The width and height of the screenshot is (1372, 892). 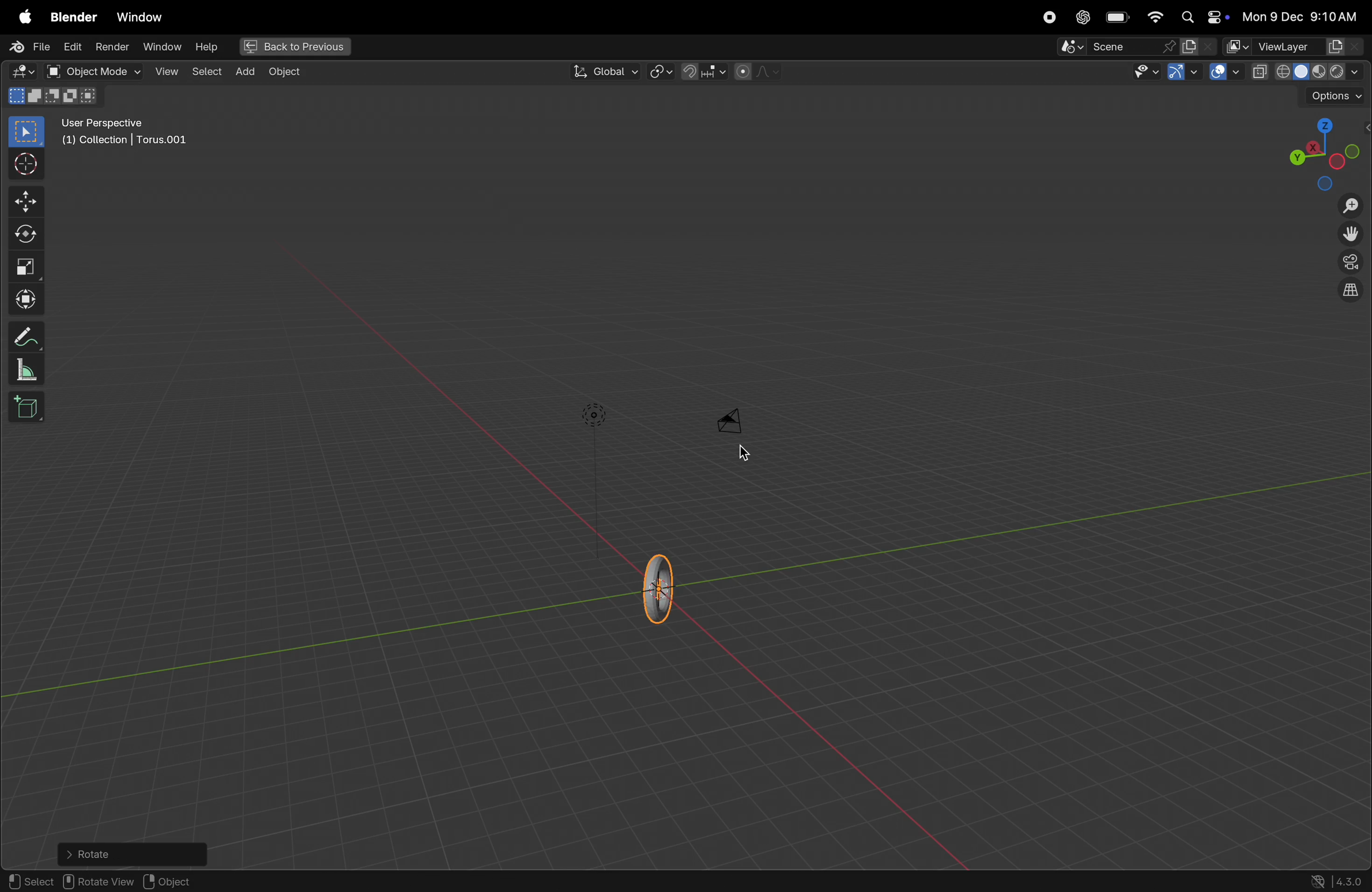 I want to click on torus, so click(x=663, y=586).